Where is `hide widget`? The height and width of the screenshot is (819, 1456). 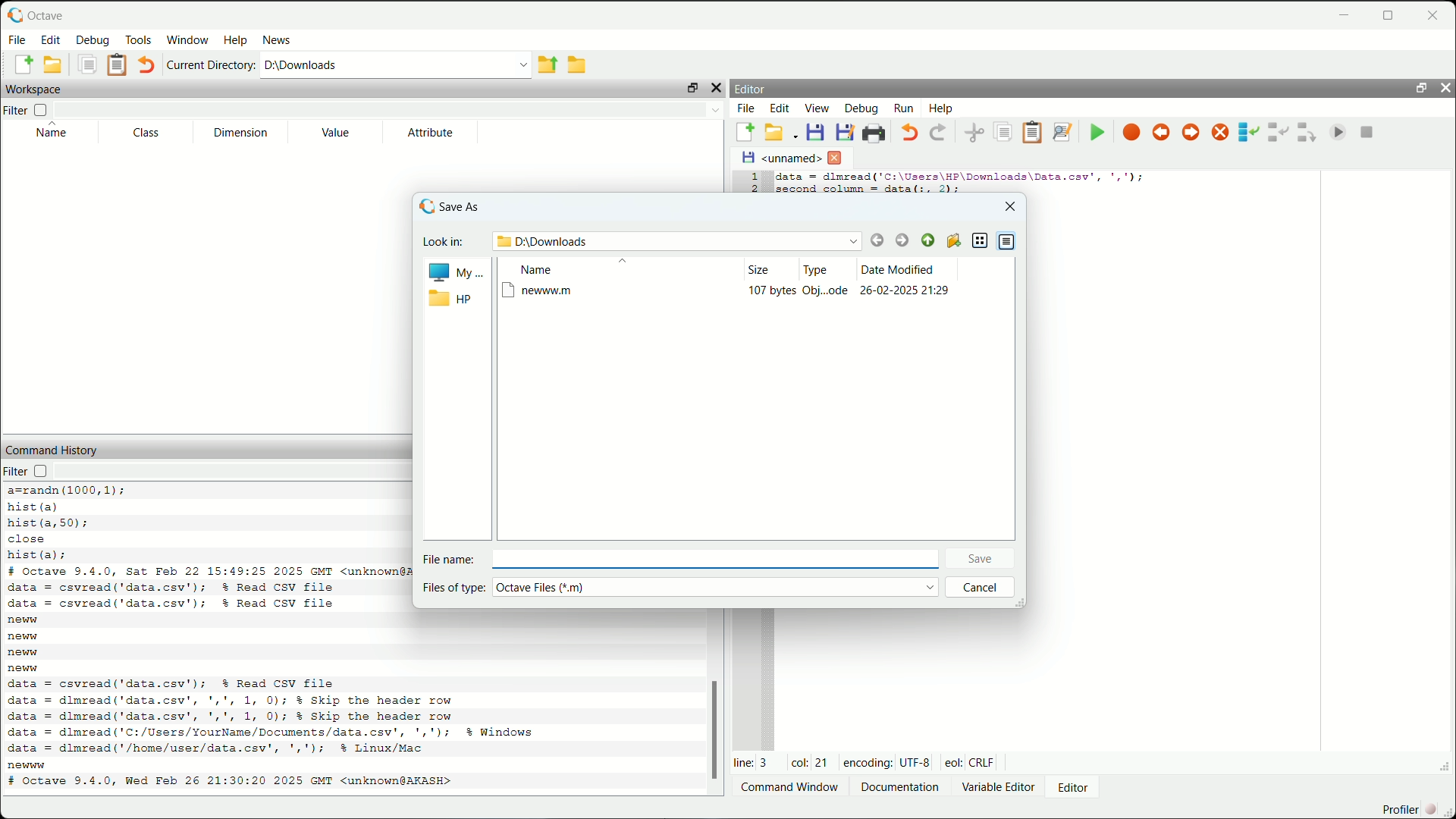
hide widget is located at coordinates (1446, 88).